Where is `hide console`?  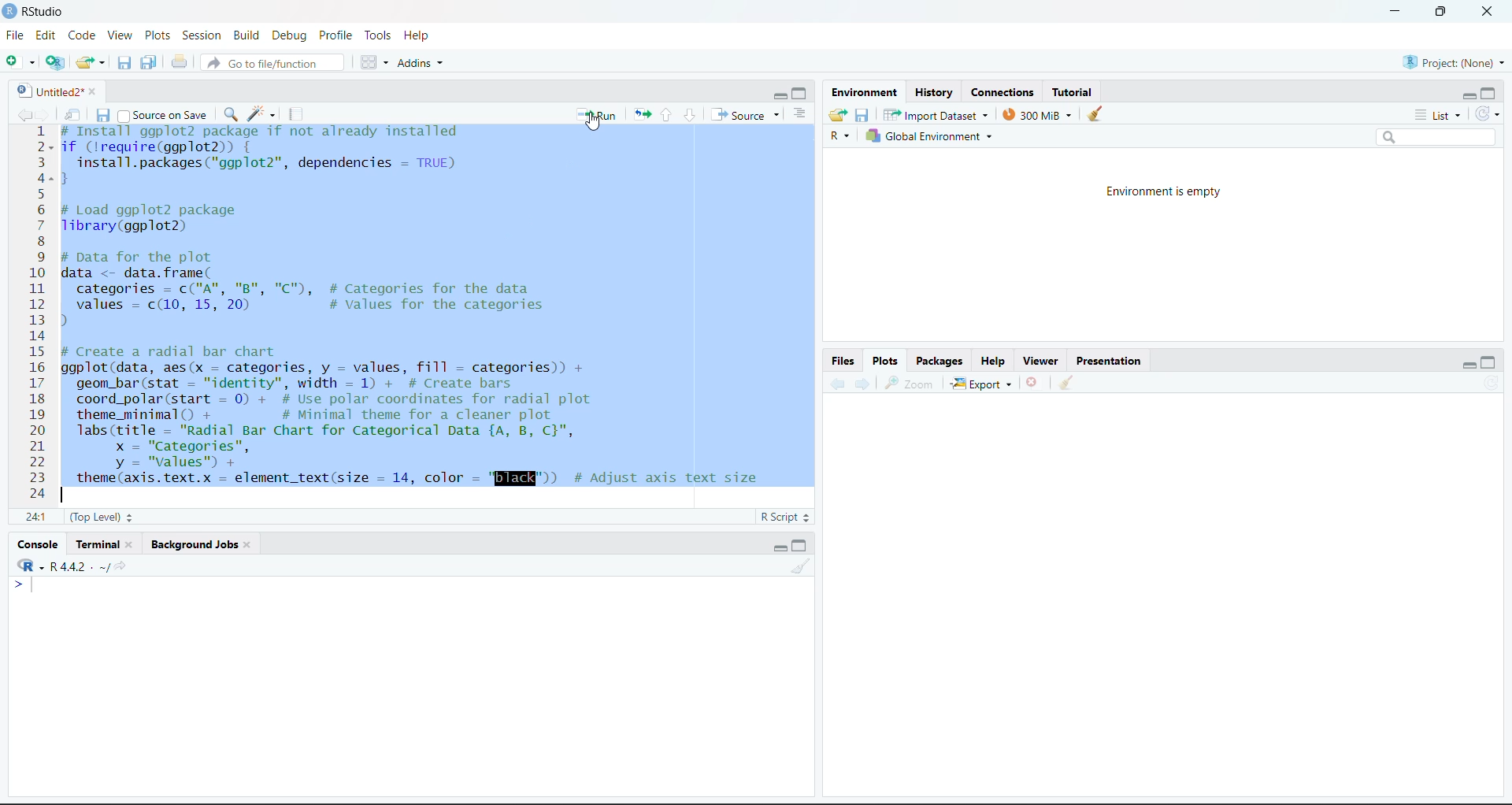
hide console is located at coordinates (802, 95).